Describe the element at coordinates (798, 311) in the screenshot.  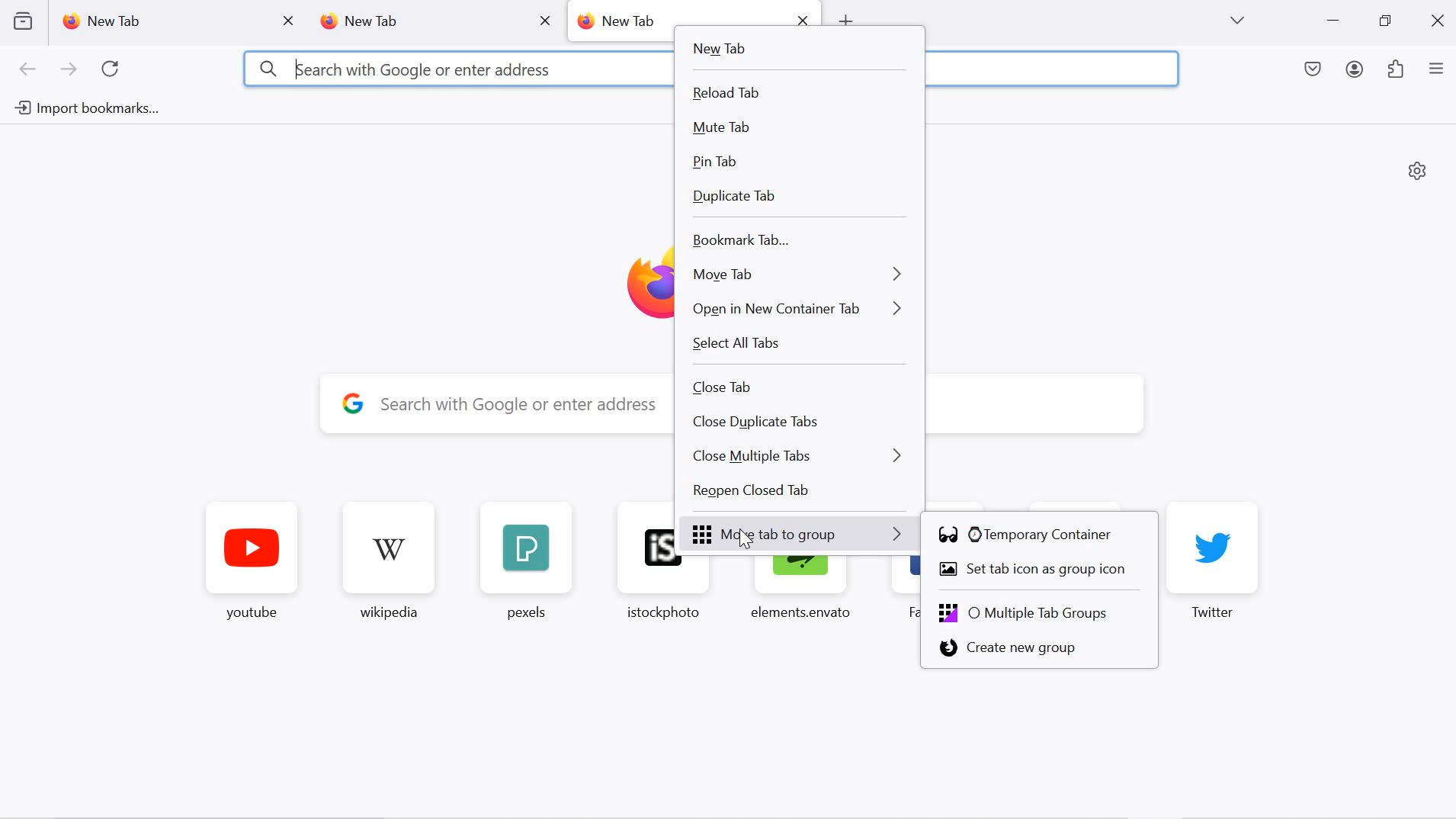
I see `open in new container tab` at that location.